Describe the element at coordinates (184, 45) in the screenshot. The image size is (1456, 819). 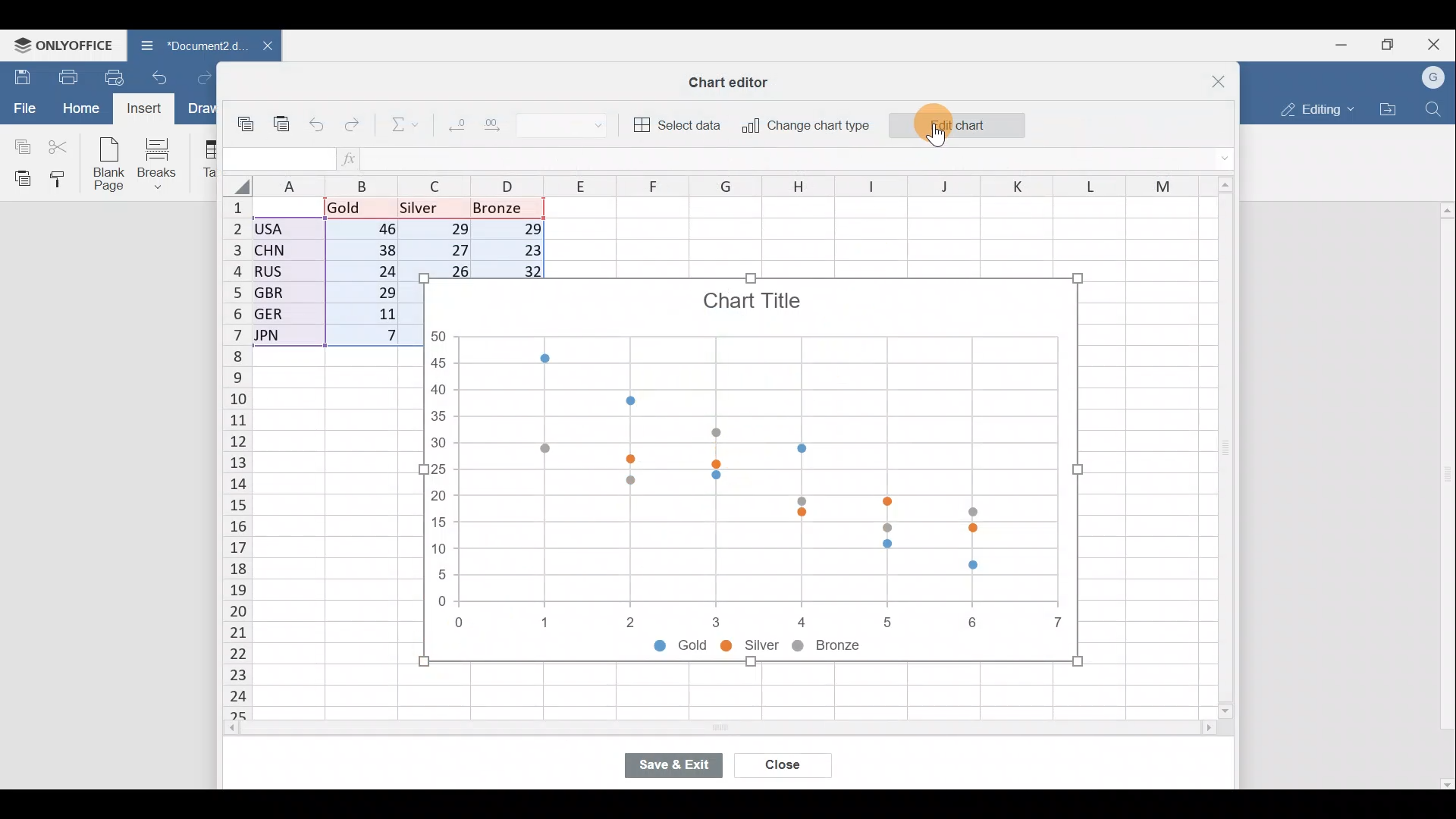
I see `Document2.d` at that location.